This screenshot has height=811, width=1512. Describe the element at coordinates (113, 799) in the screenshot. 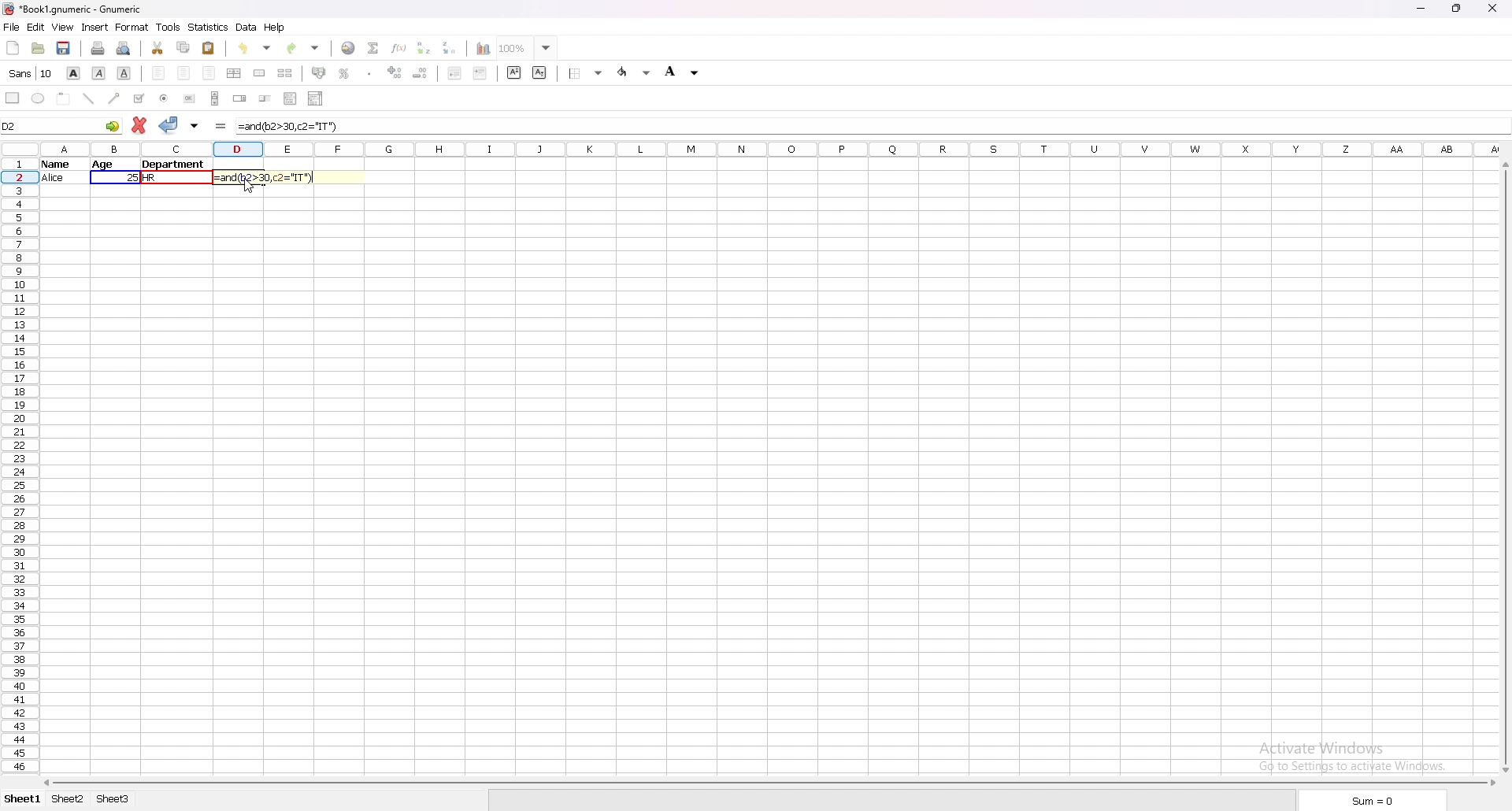

I see `sheet 3` at that location.